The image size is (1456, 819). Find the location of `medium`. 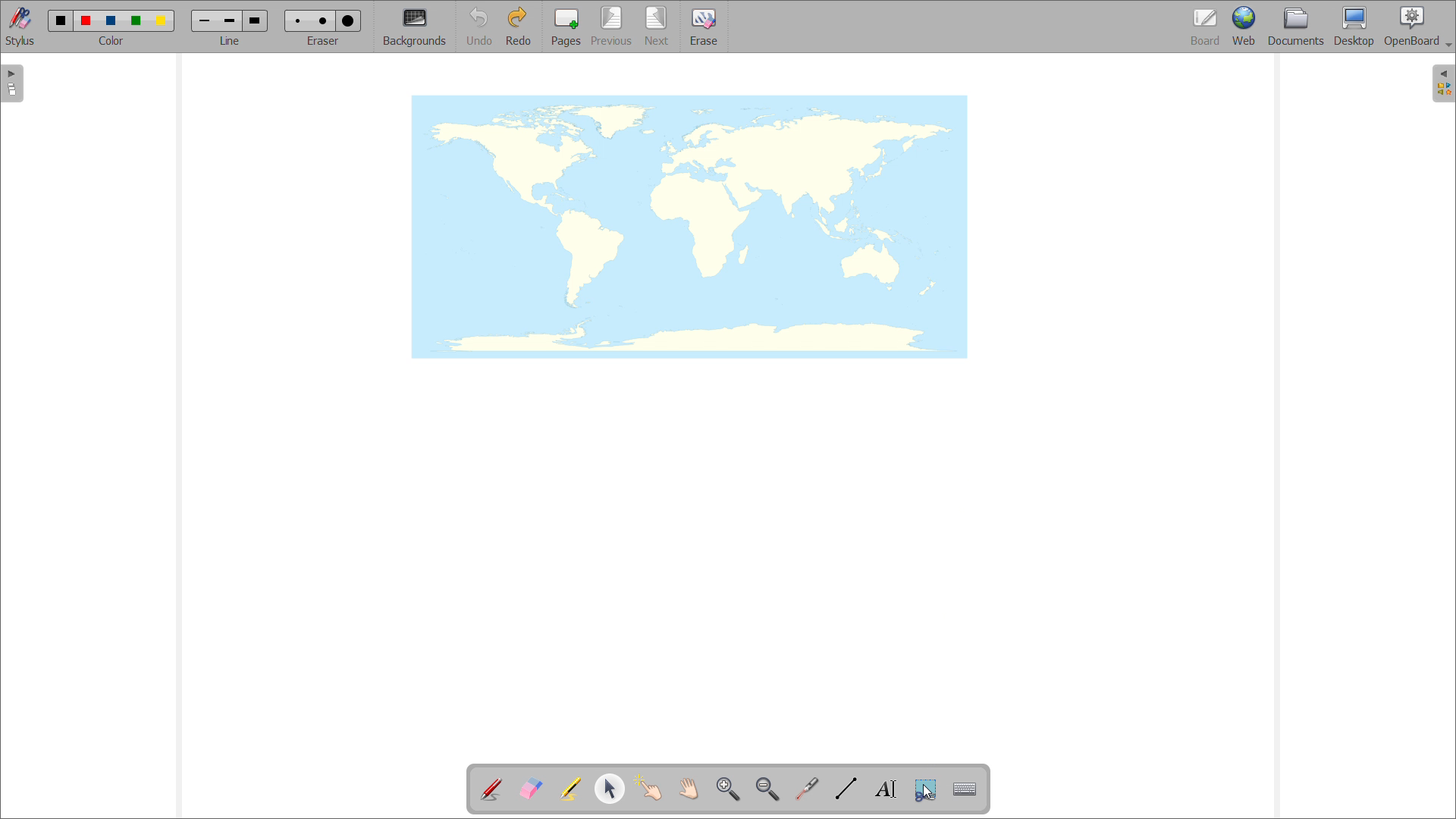

medium is located at coordinates (325, 20).